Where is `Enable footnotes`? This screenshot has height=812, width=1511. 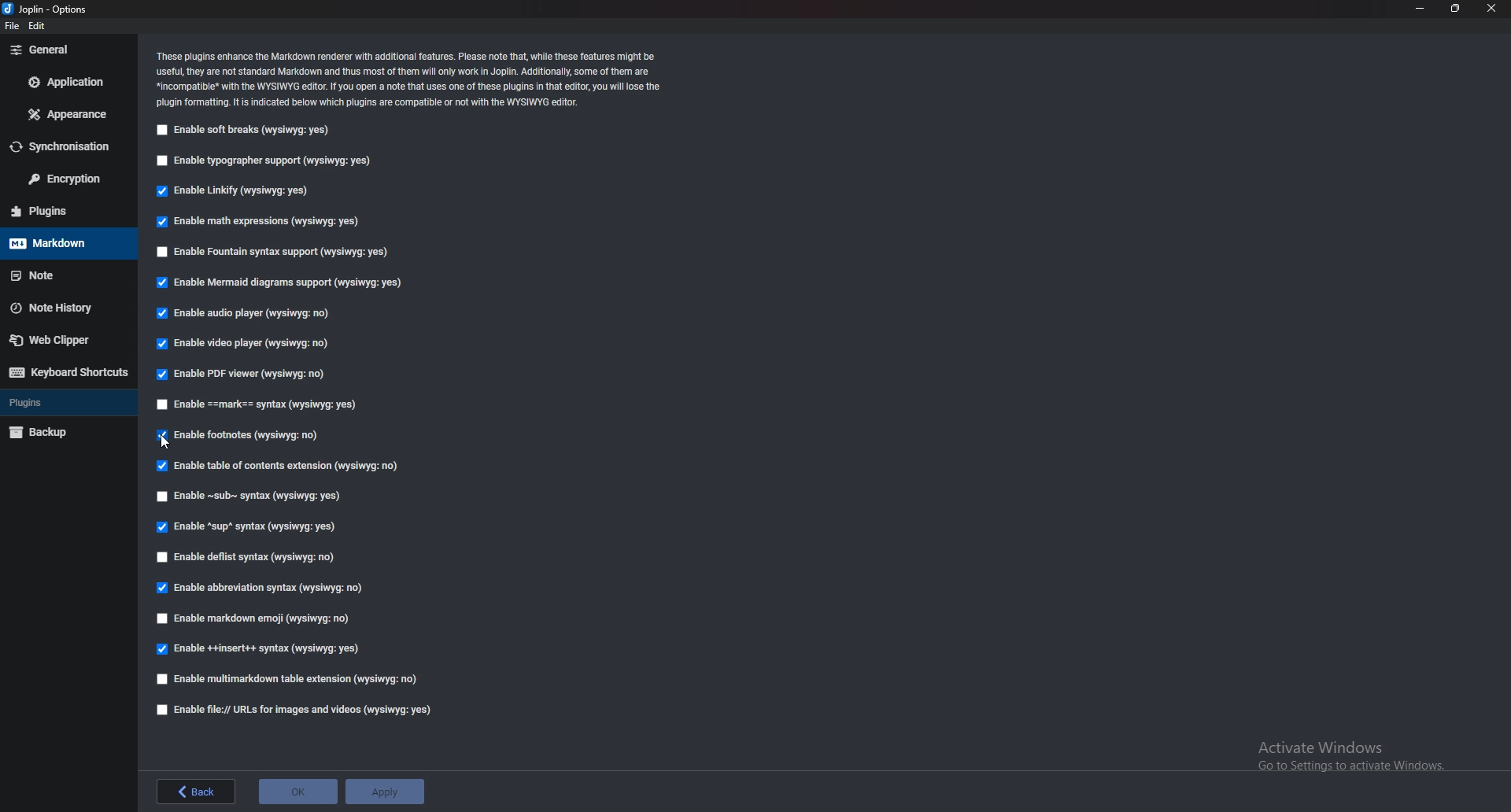
Enable footnotes is located at coordinates (241, 434).